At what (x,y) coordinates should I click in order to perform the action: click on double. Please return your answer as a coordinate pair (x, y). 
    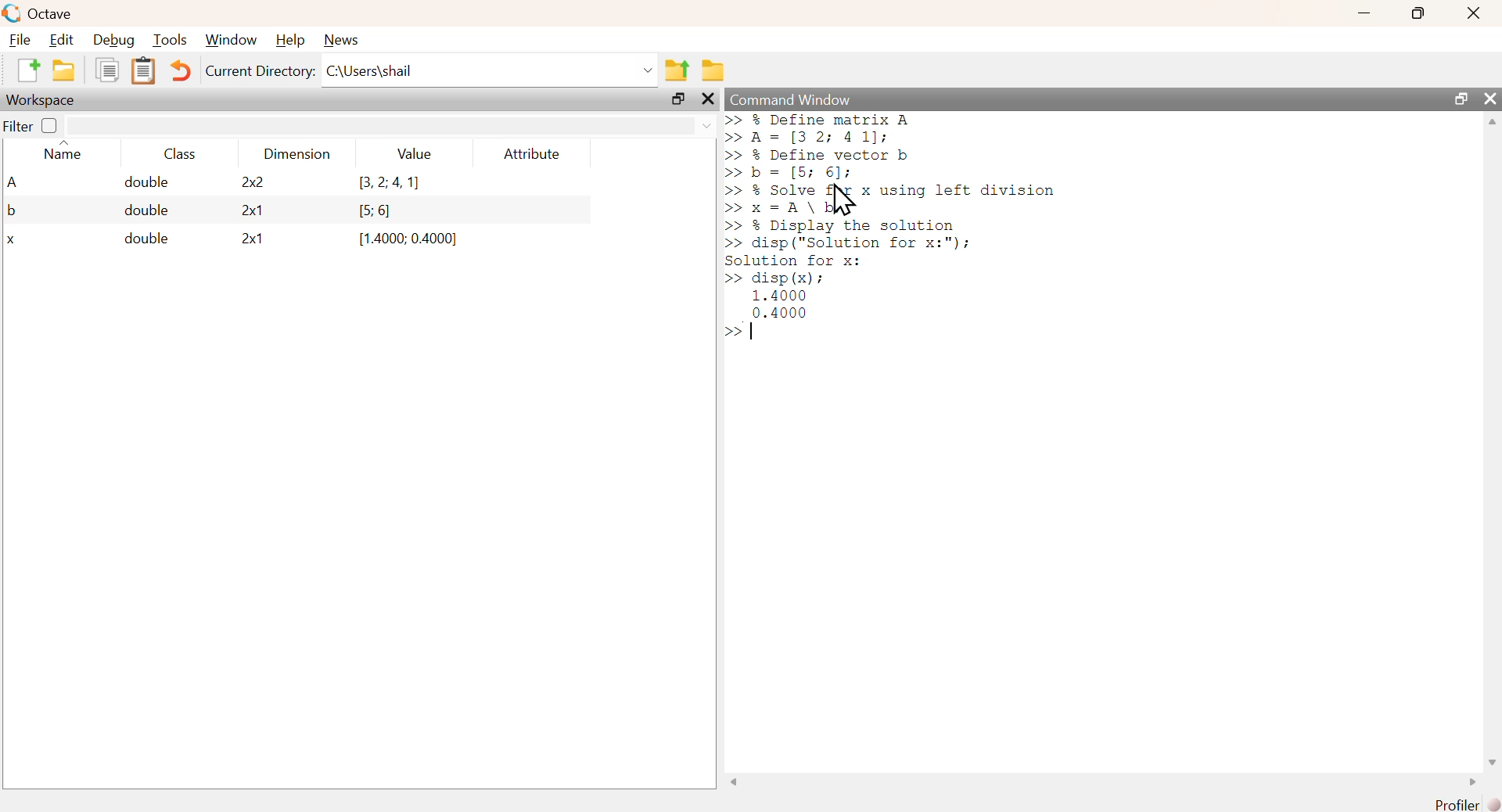
    Looking at the image, I should click on (135, 183).